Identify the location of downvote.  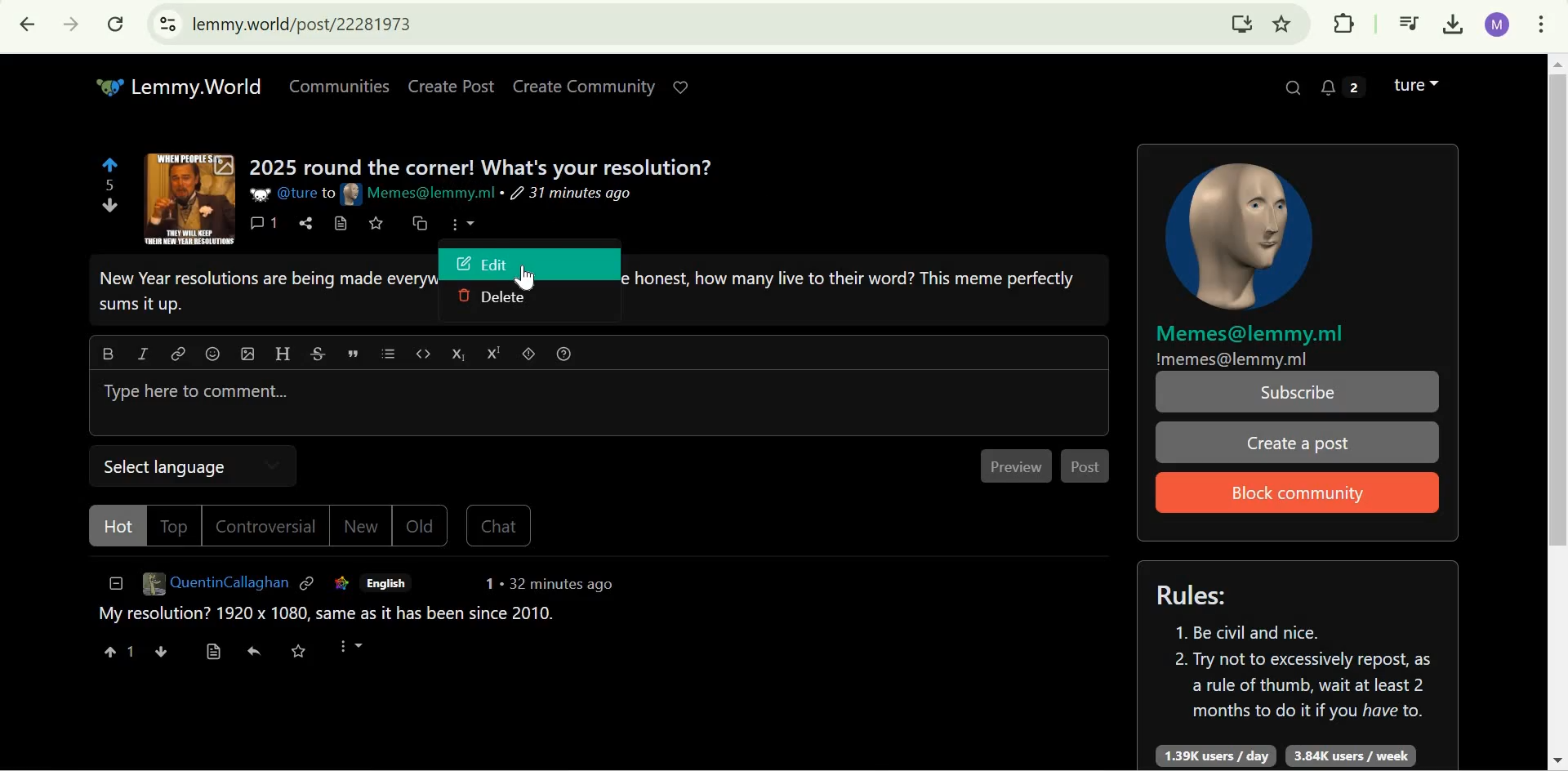
(162, 651).